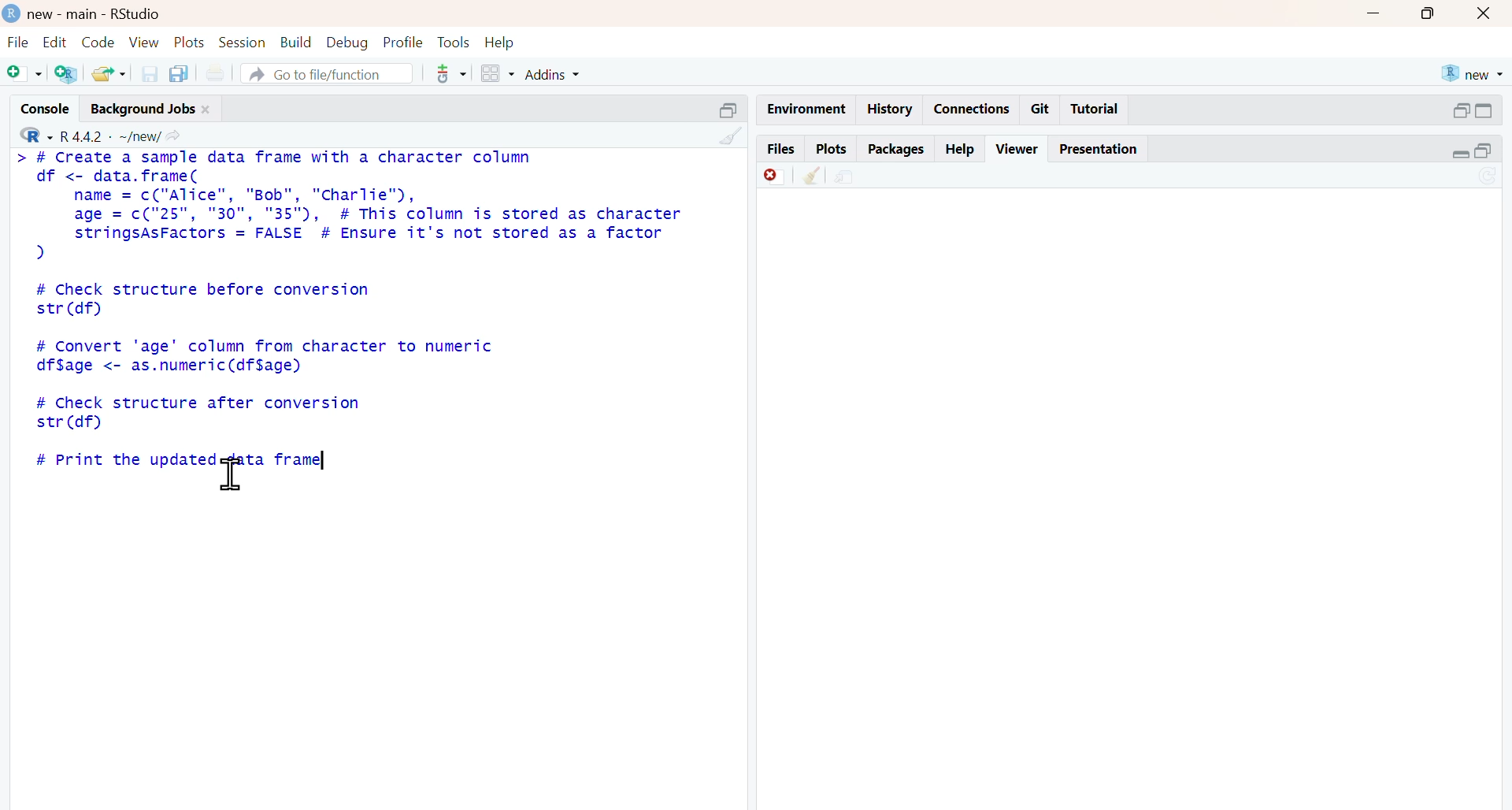  What do you see at coordinates (241, 43) in the screenshot?
I see `session` at bounding box center [241, 43].